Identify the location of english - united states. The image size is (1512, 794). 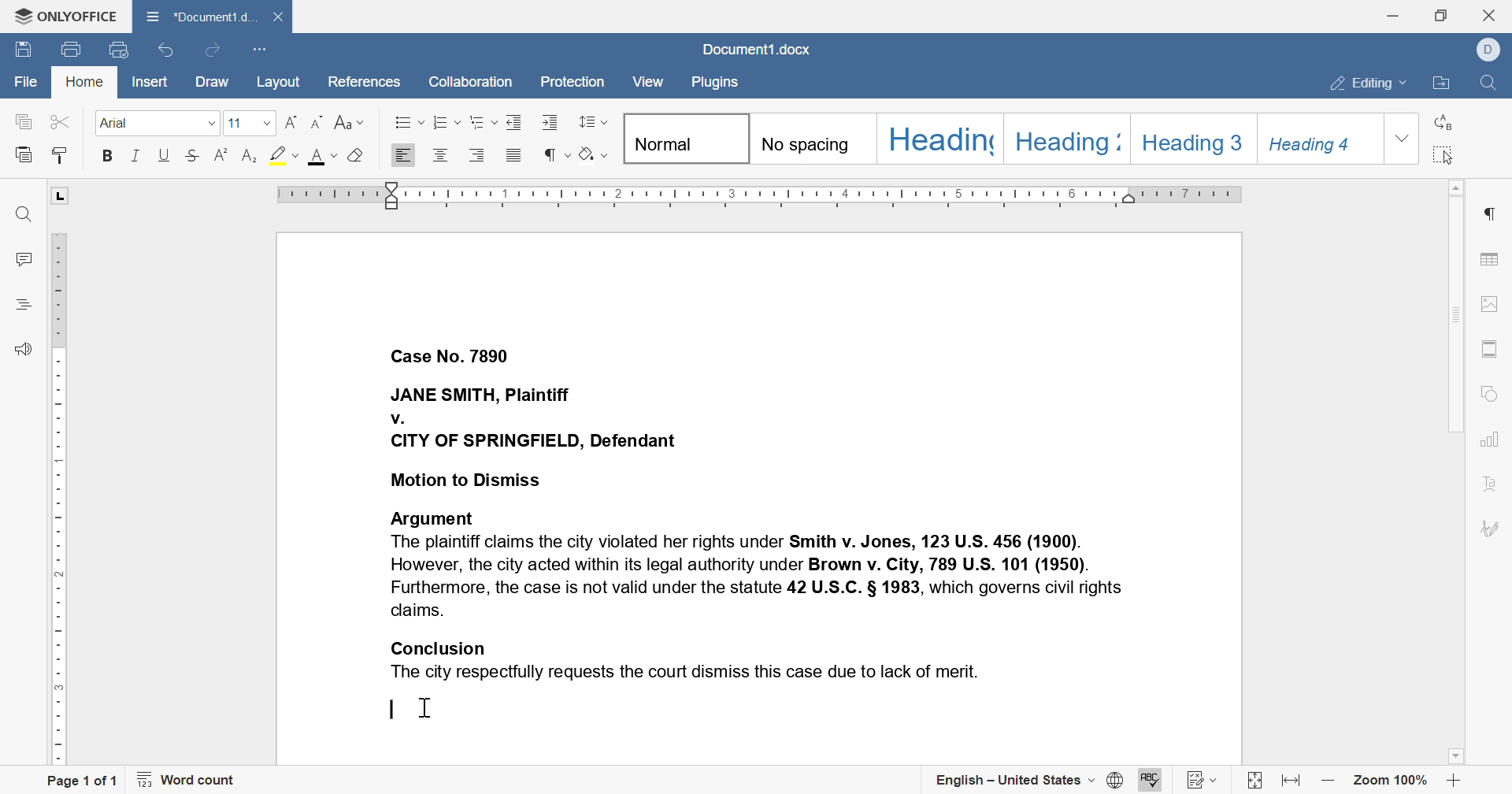
(1028, 781).